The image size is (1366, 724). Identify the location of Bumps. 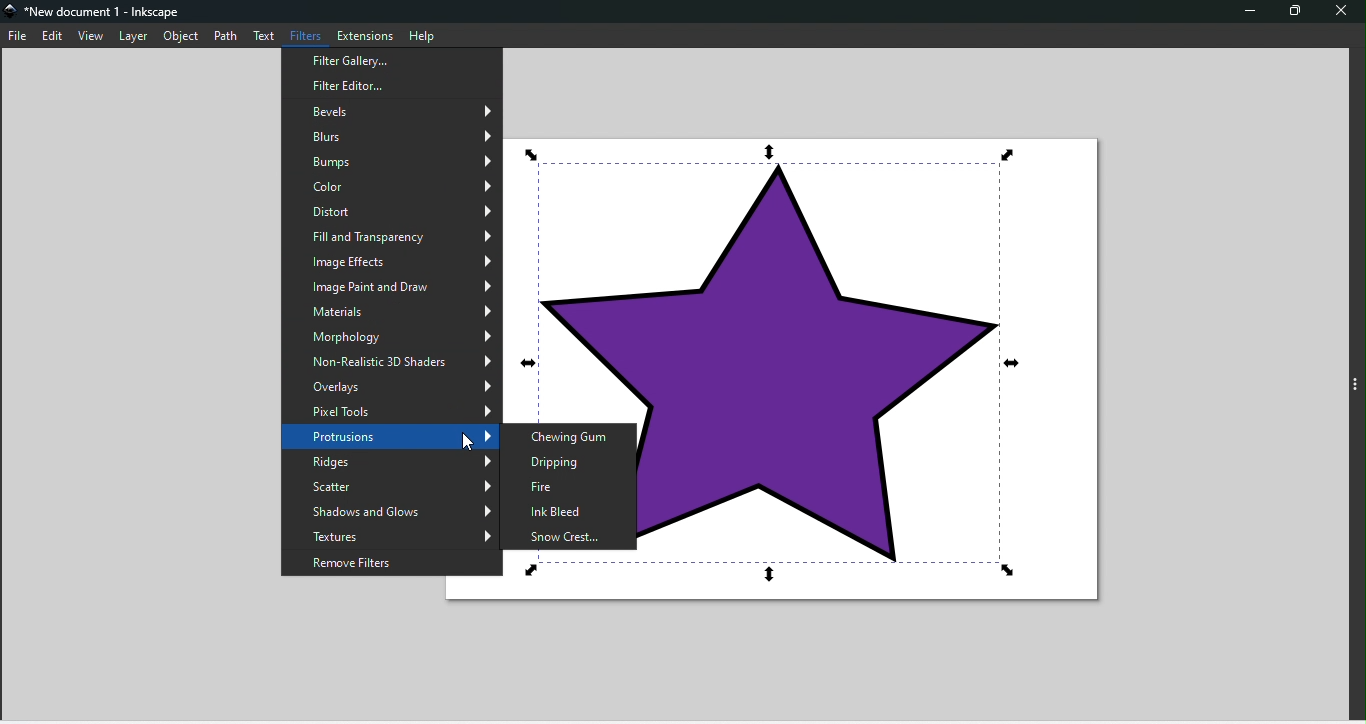
(392, 159).